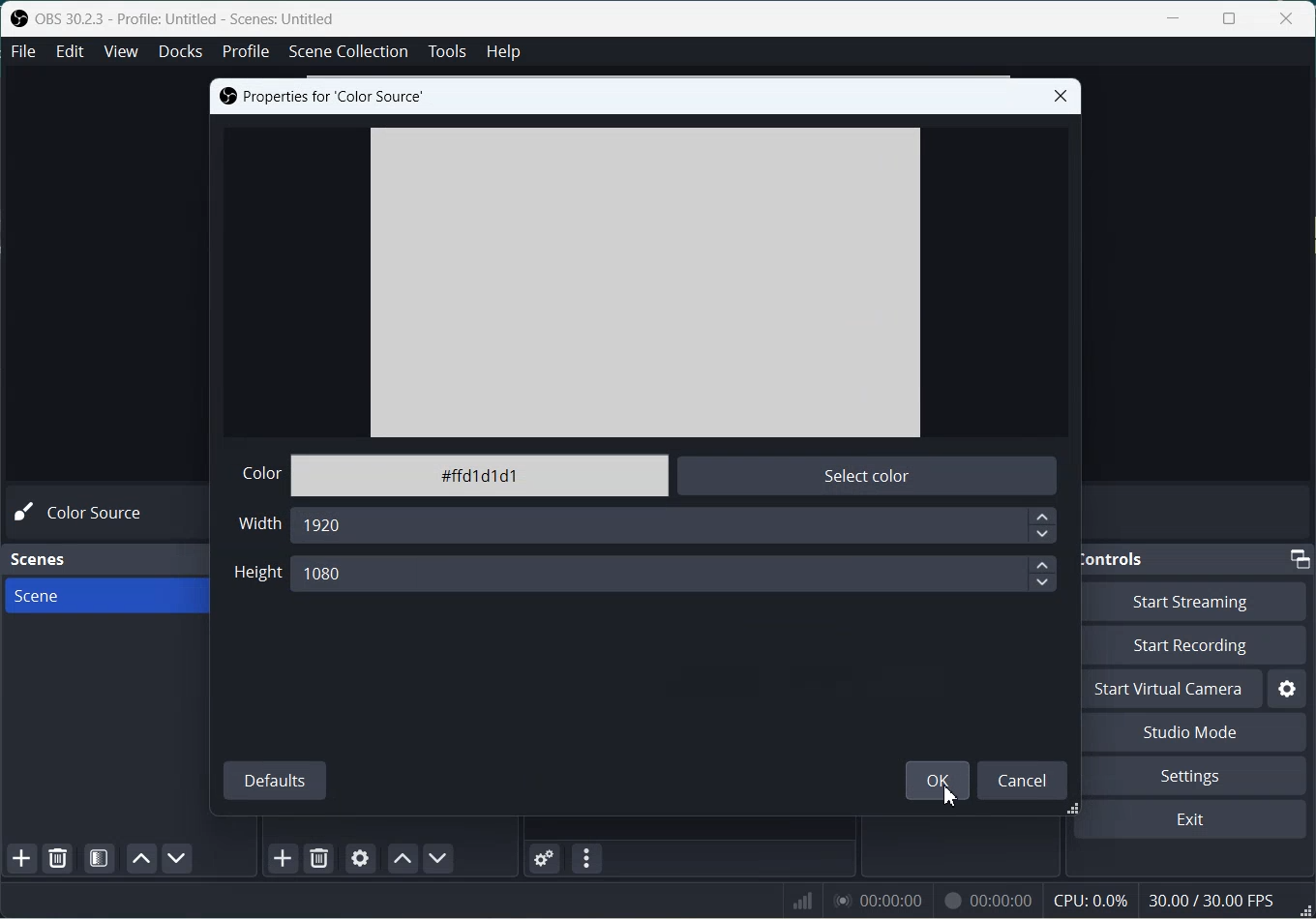  What do you see at coordinates (321, 858) in the screenshot?
I see `Remove Source` at bounding box center [321, 858].